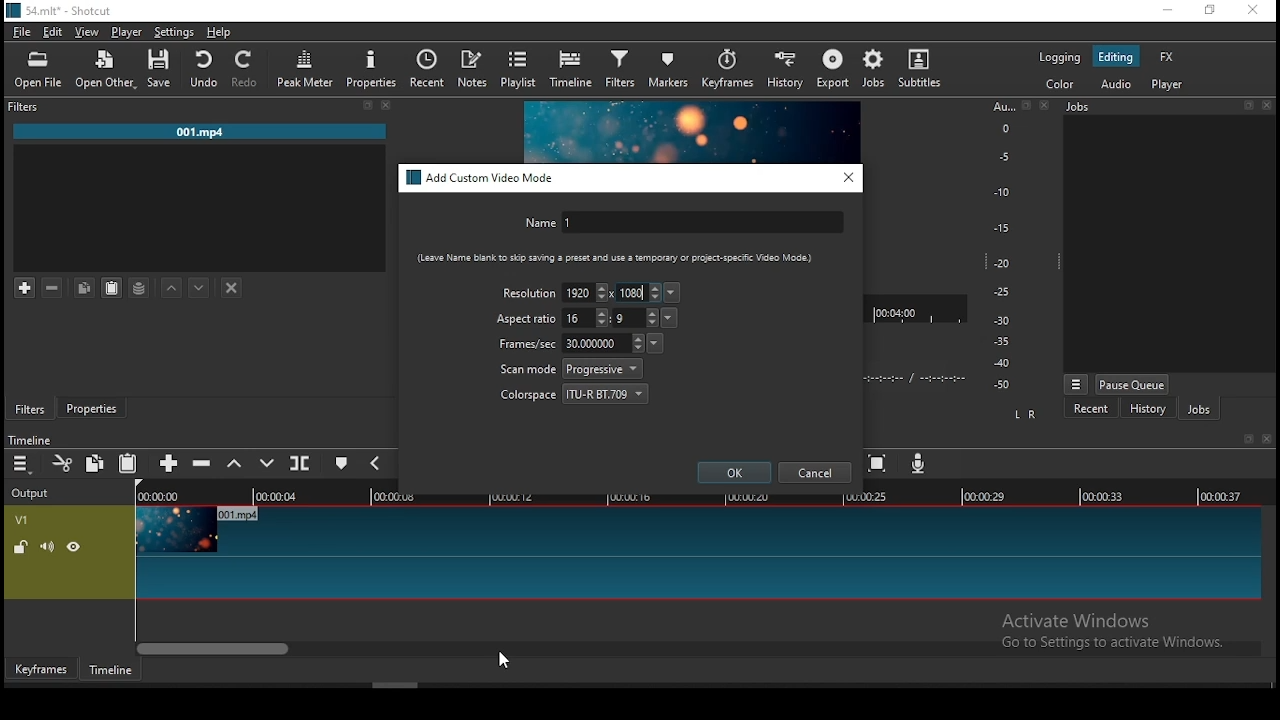 This screenshot has height=720, width=1280. I want to click on subtitles, so click(924, 70).